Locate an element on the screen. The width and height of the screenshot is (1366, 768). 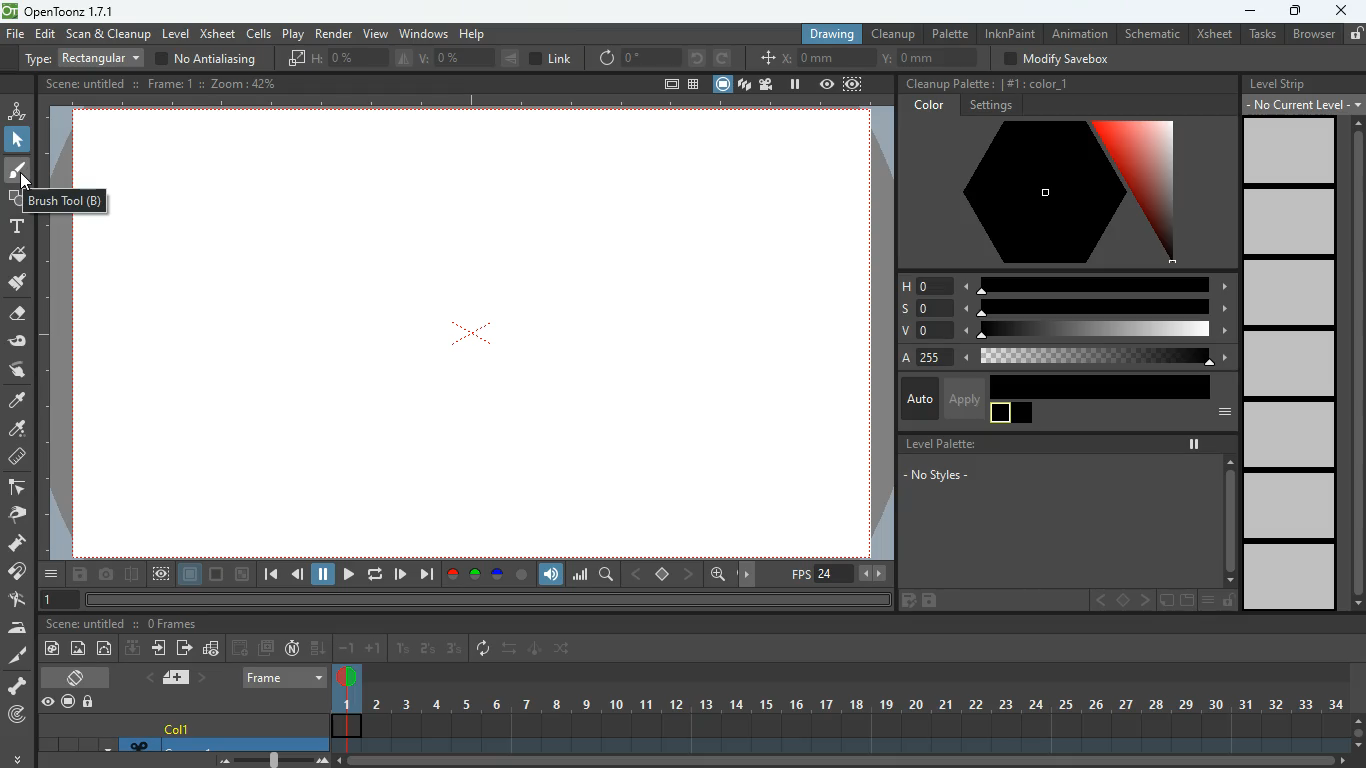
edge is located at coordinates (16, 488).